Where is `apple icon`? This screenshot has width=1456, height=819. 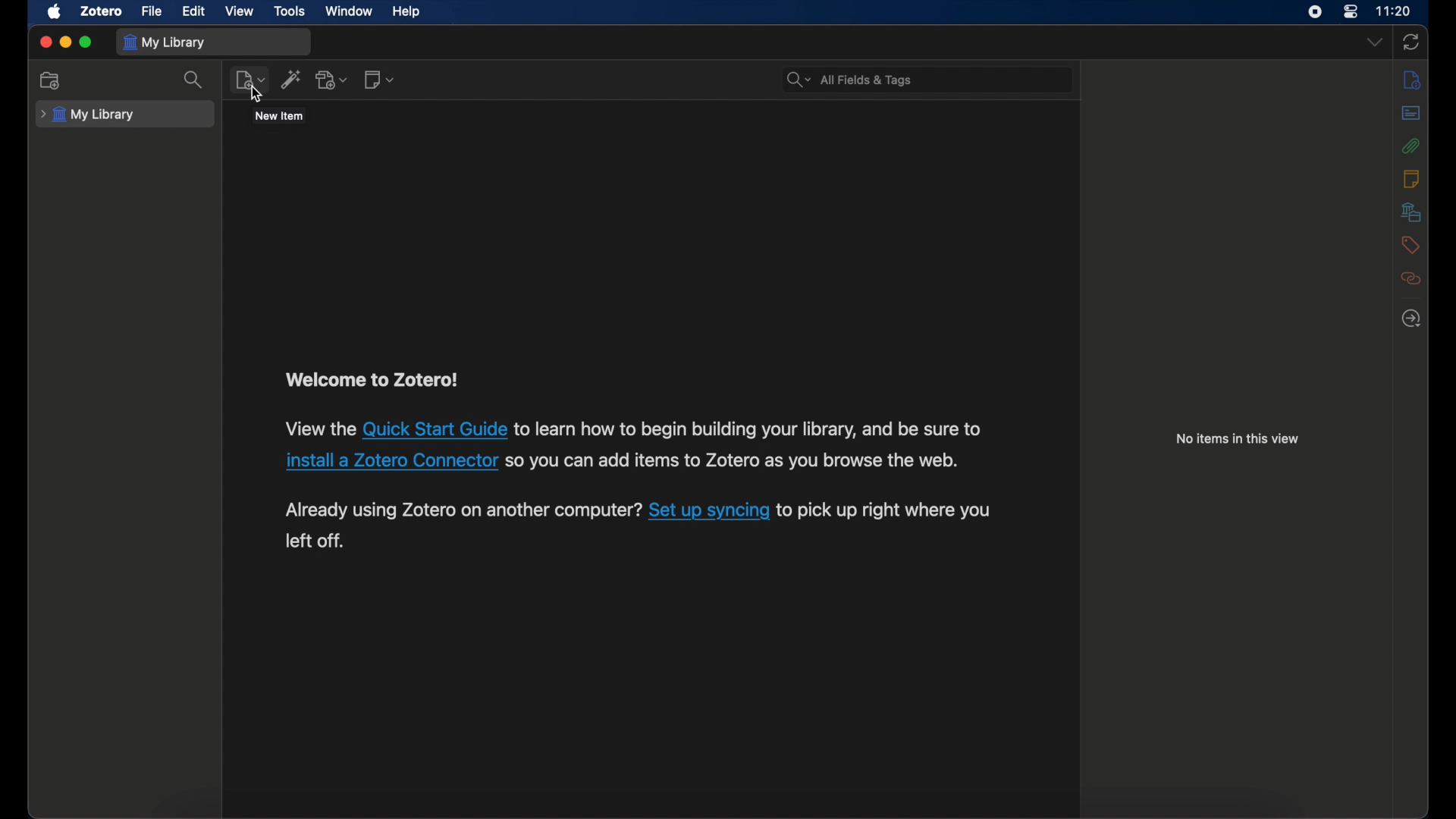 apple icon is located at coordinates (55, 12).